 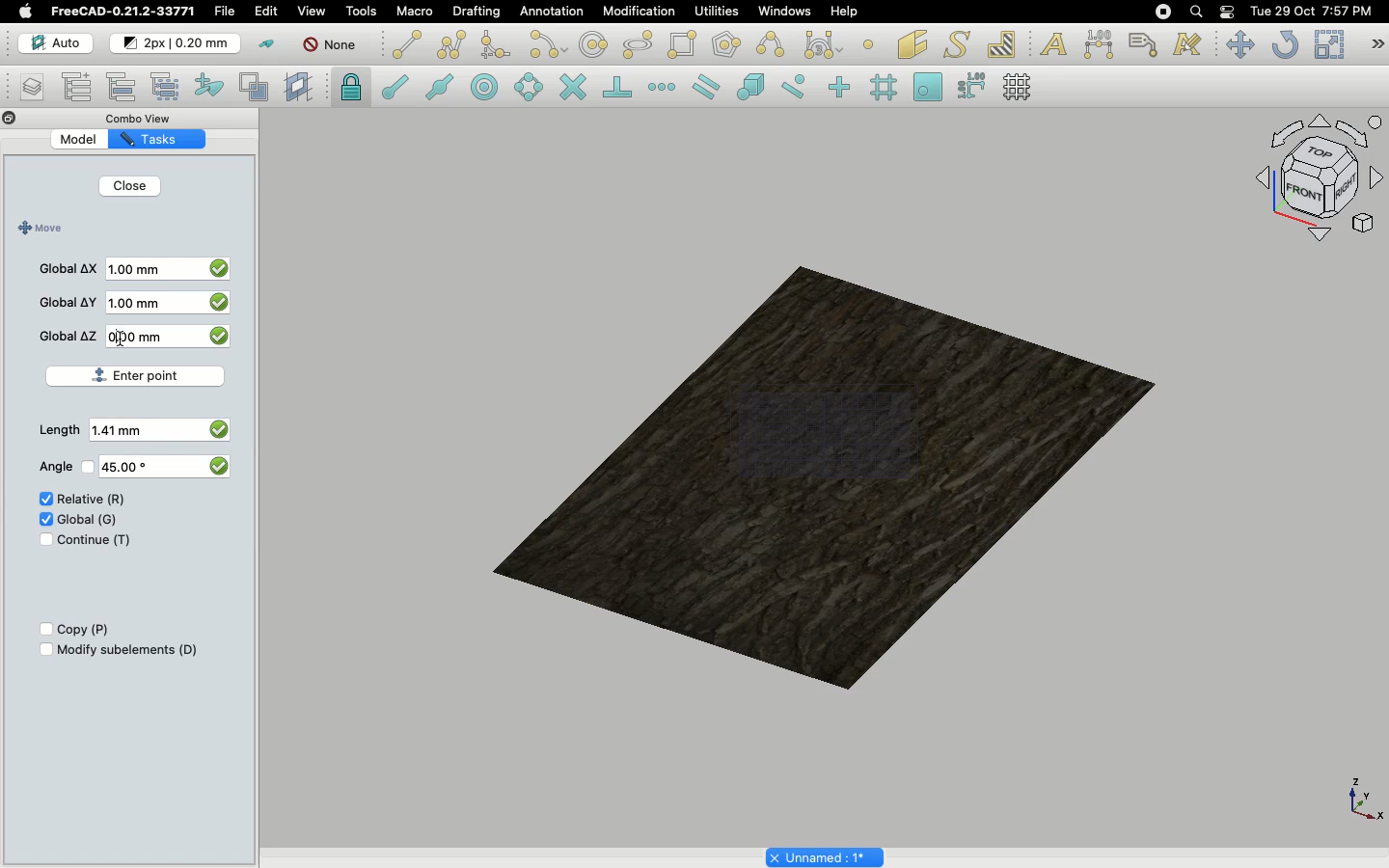 I want to click on 1.00, so click(x=140, y=303).